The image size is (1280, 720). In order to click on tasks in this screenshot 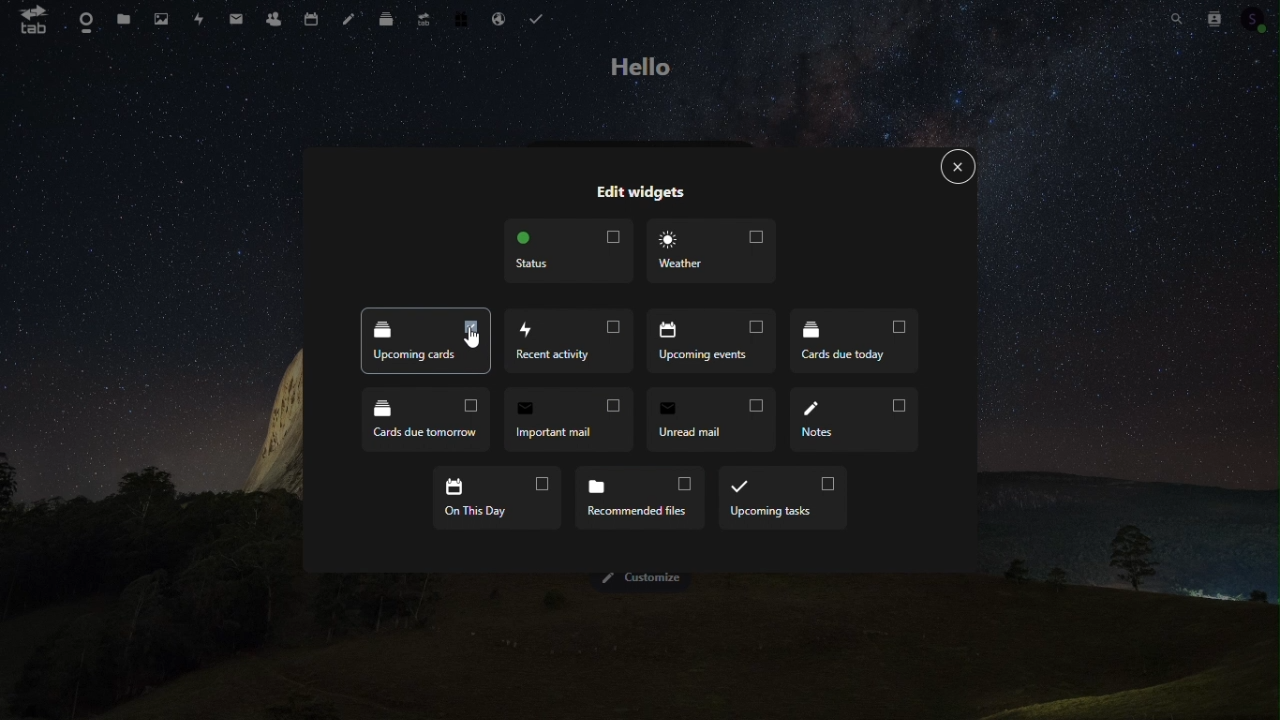, I will do `click(541, 18)`.